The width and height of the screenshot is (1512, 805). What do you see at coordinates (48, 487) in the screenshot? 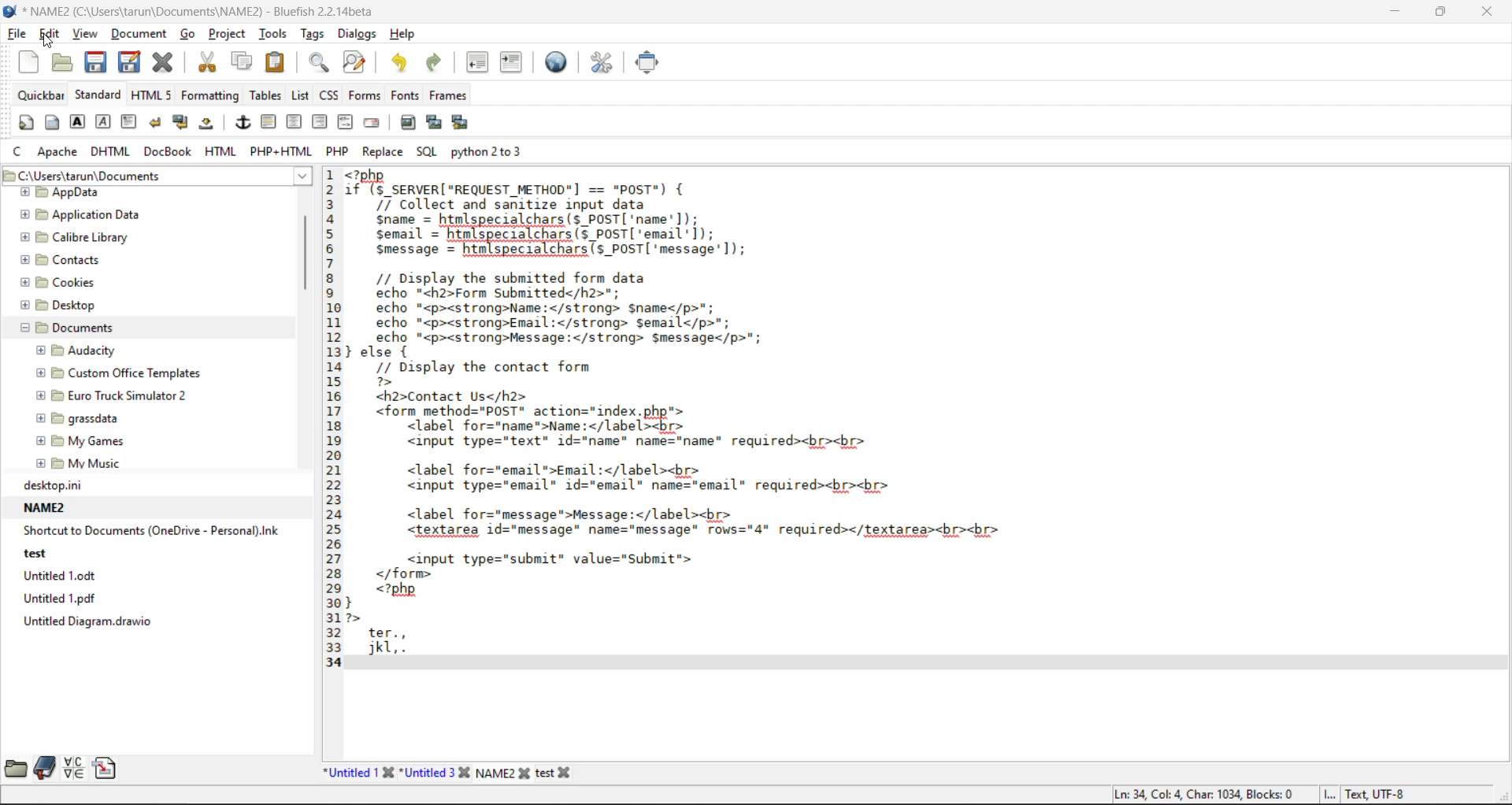
I see `desktop.ni` at bounding box center [48, 487].